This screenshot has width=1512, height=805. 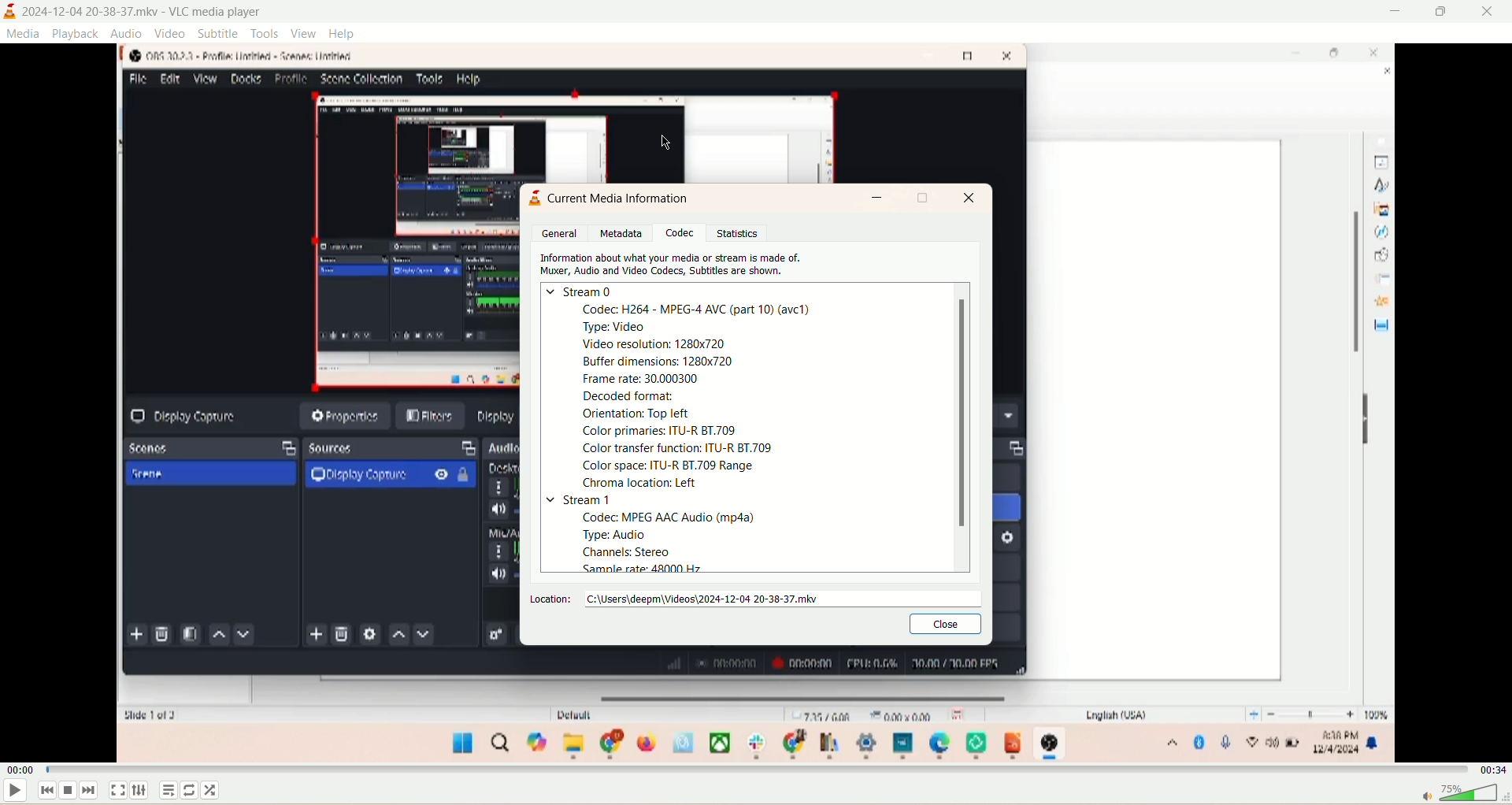 What do you see at coordinates (70, 791) in the screenshot?
I see `stop` at bounding box center [70, 791].